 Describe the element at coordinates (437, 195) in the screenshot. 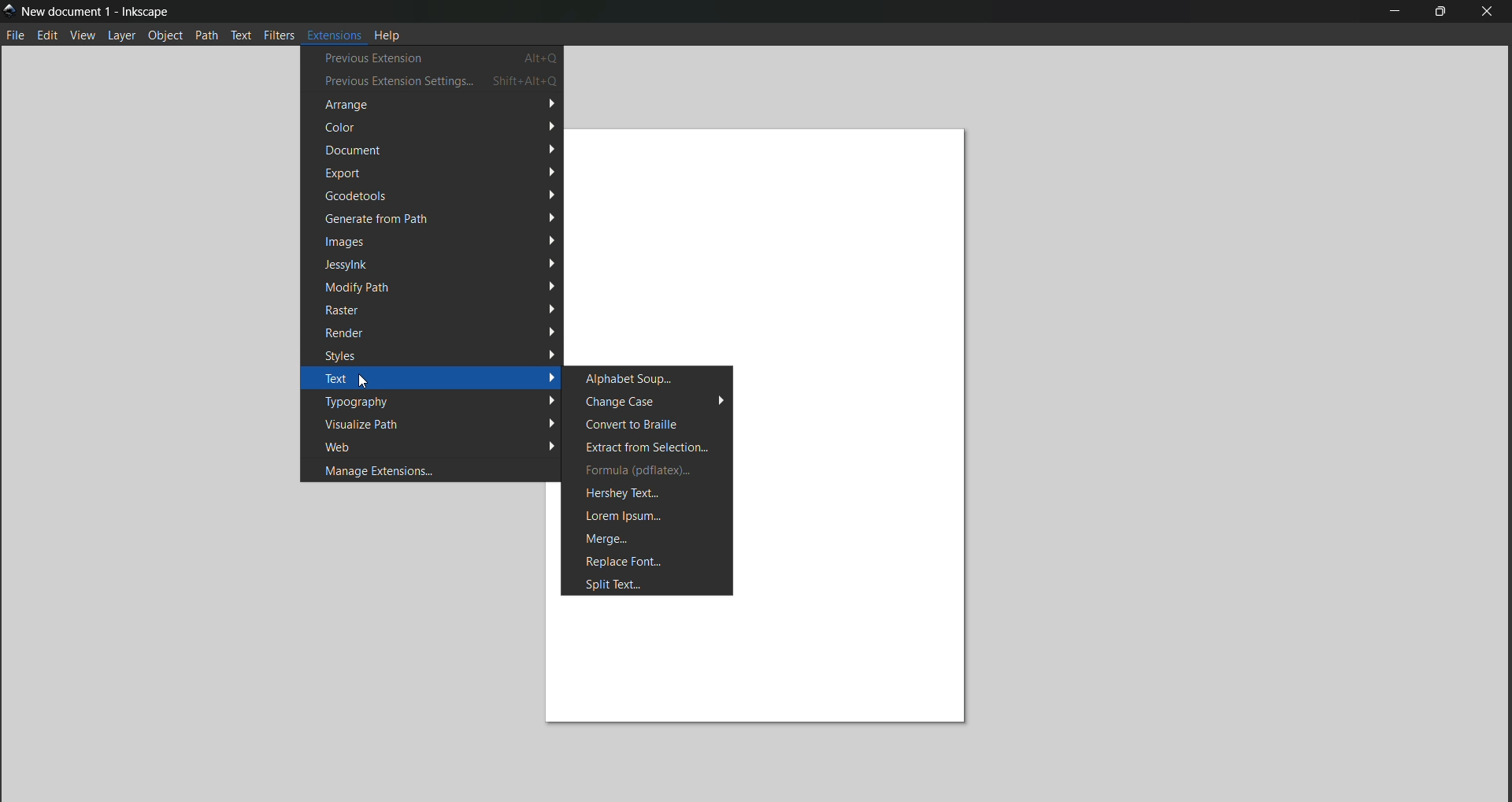

I see `Gcode tools` at that location.